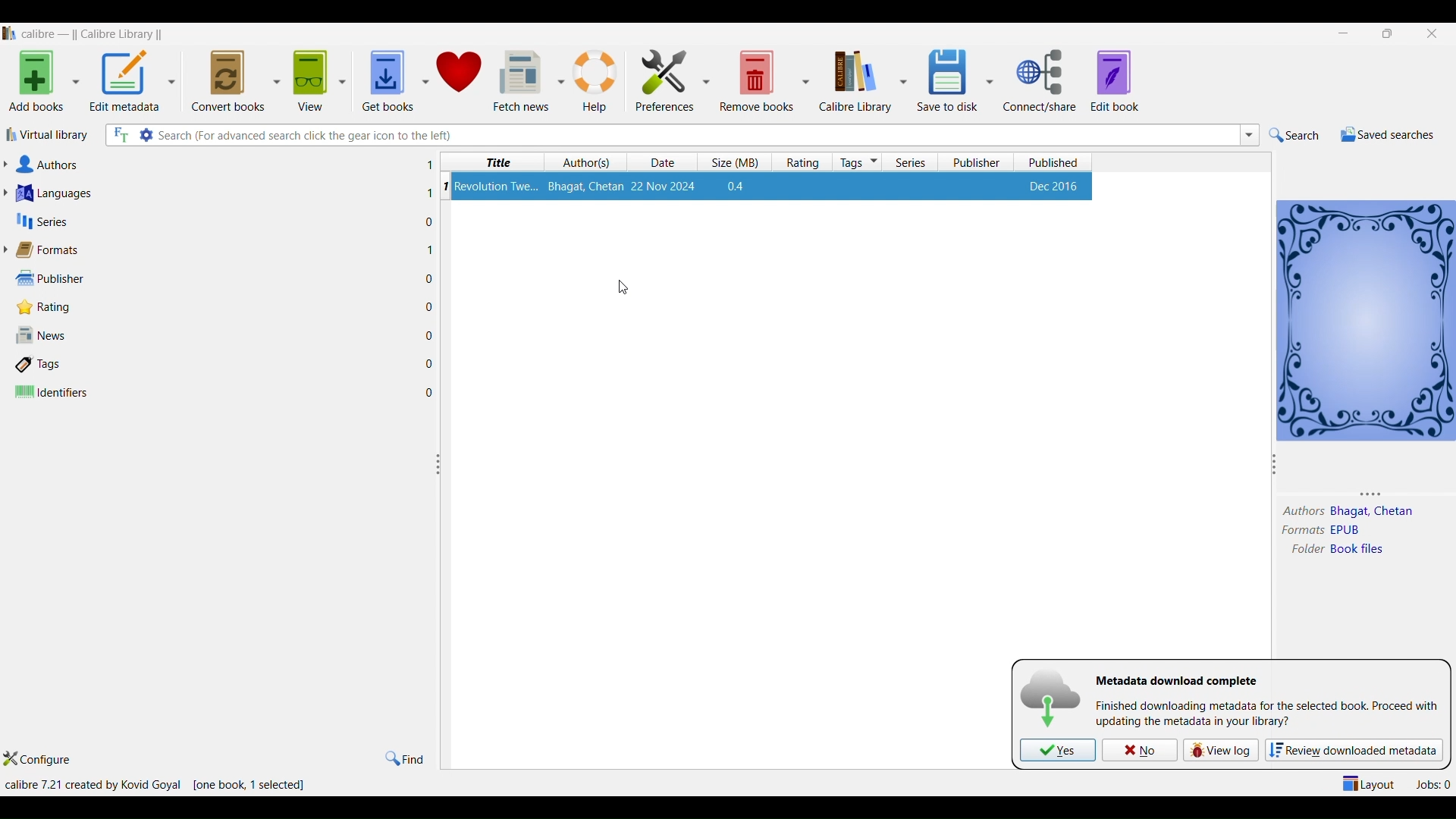 Image resolution: width=1456 pixels, height=819 pixels. Describe the element at coordinates (407, 757) in the screenshot. I see `find` at that location.